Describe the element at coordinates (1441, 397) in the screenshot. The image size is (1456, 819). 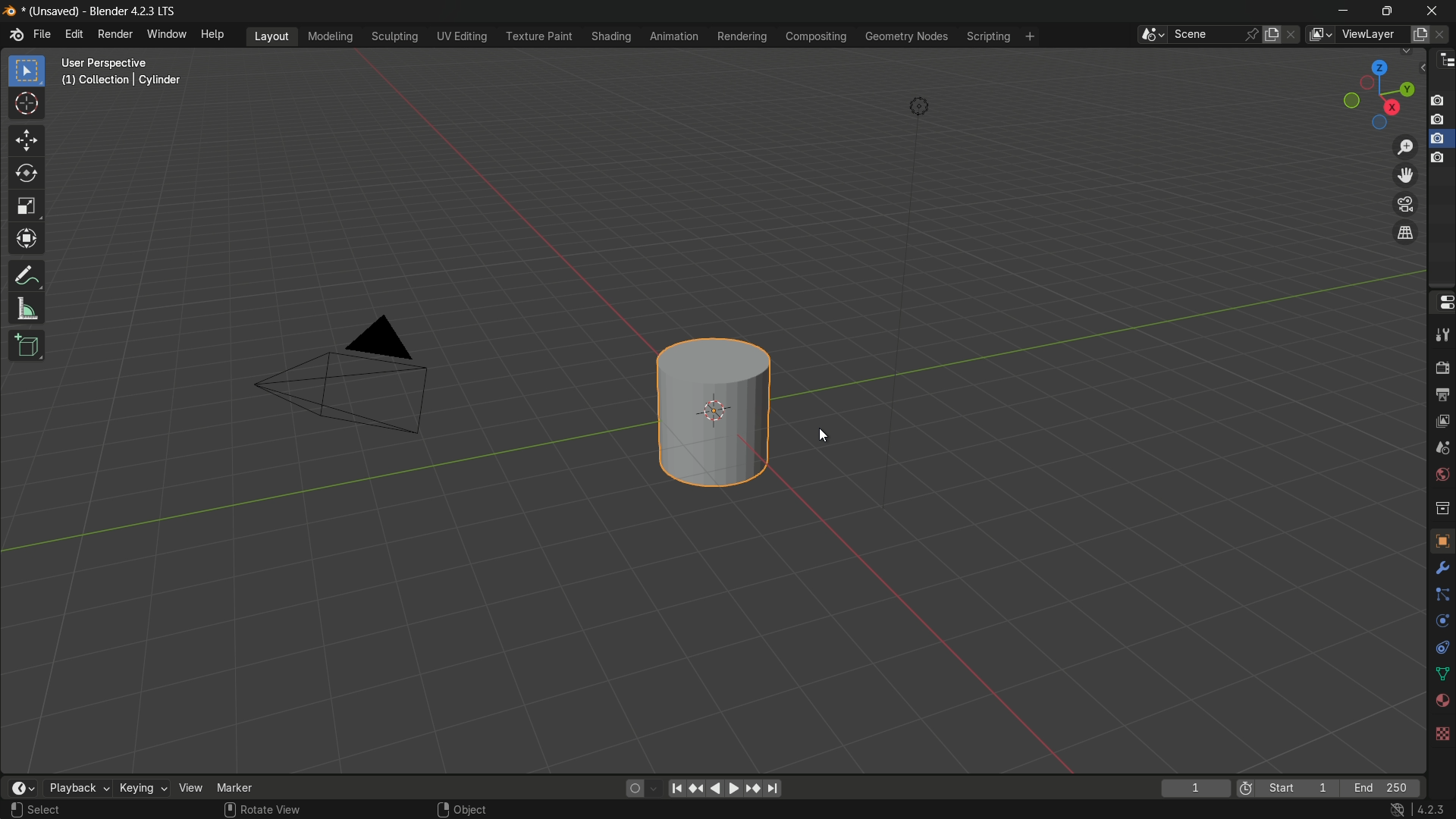
I see `output` at that location.